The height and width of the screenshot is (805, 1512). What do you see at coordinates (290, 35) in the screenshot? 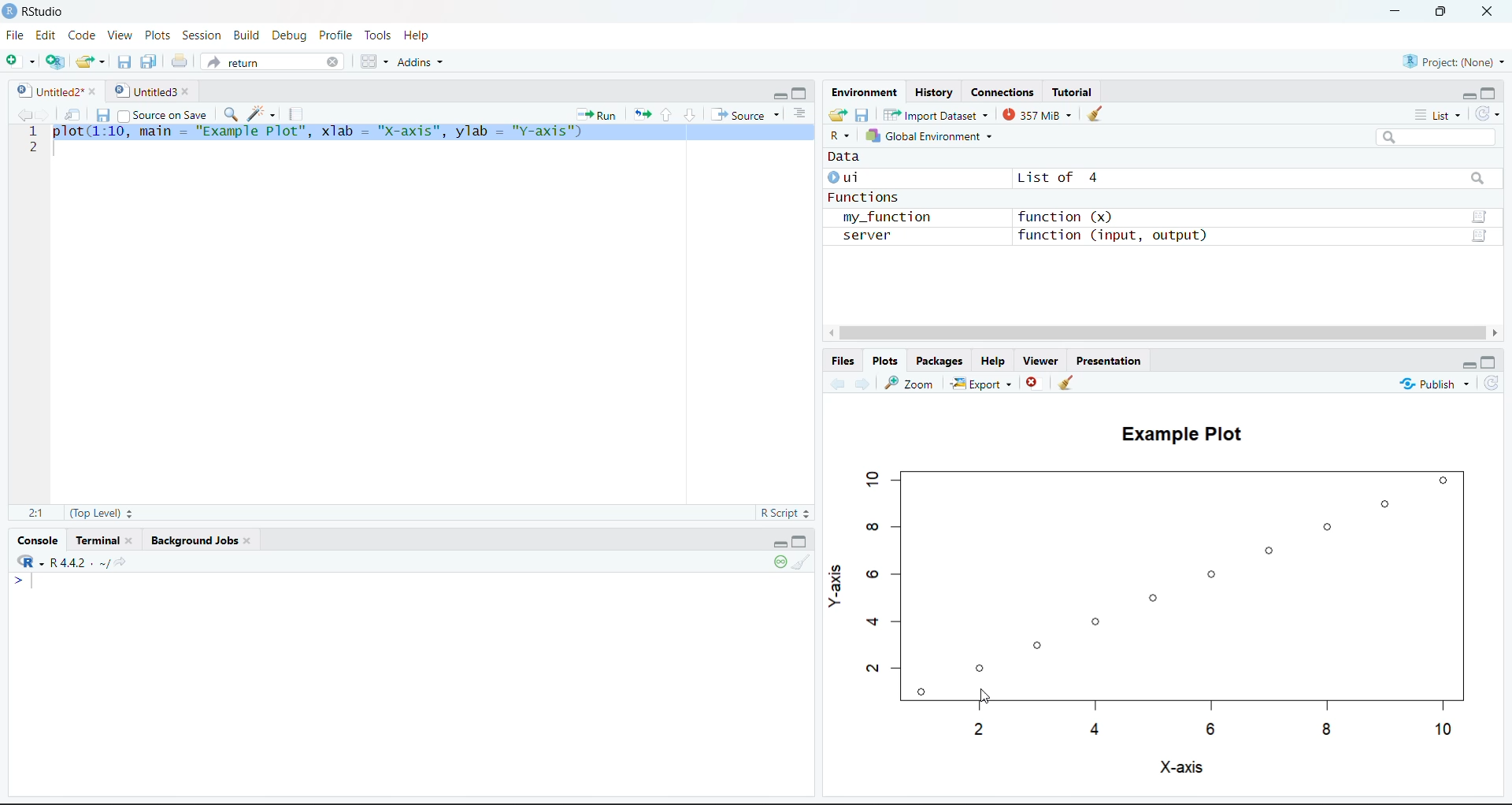
I see `Debug` at bounding box center [290, 35].